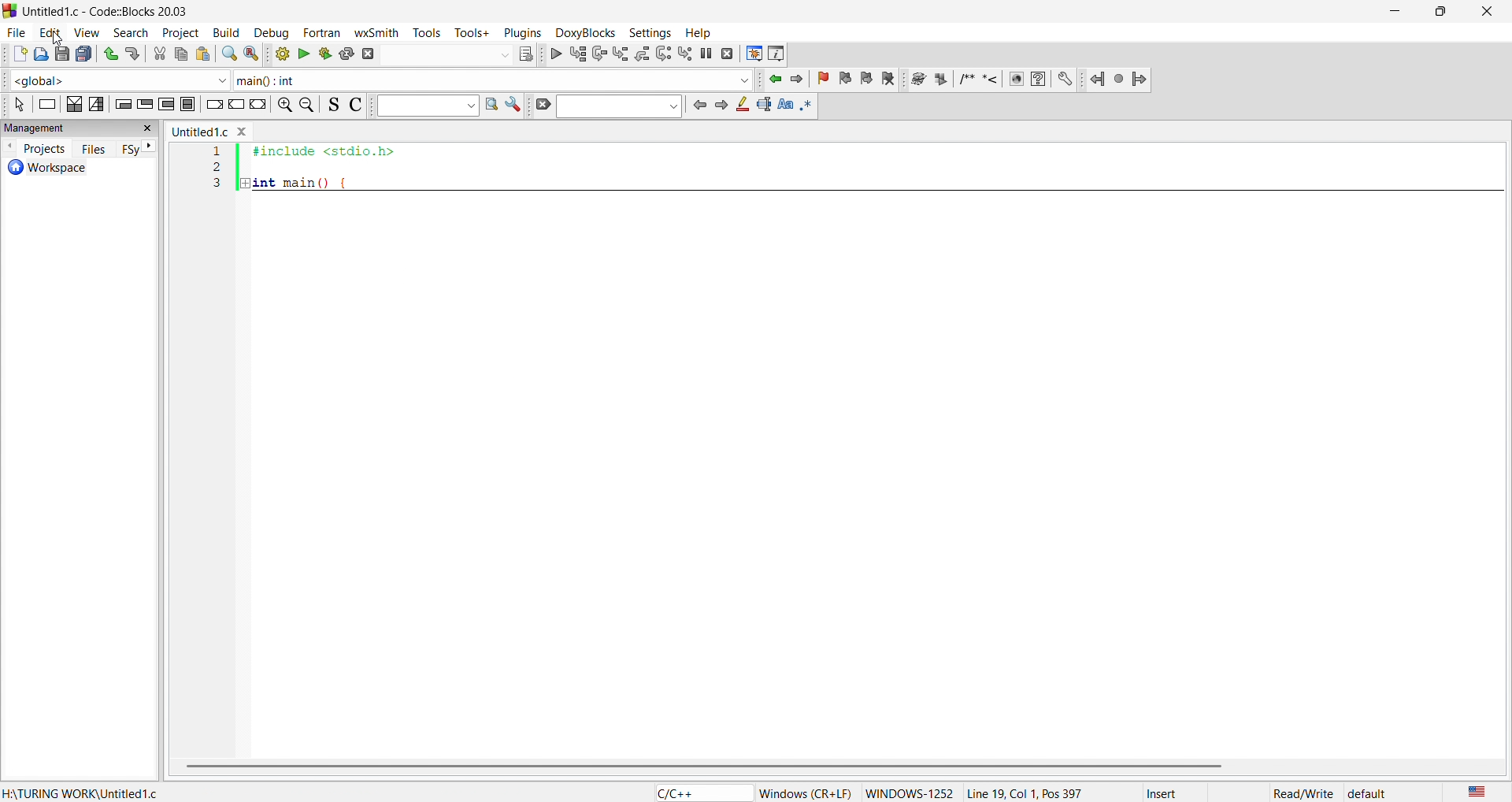 This screenshot has width=1512, height=802. I want to click on search box, so click(423, 106).